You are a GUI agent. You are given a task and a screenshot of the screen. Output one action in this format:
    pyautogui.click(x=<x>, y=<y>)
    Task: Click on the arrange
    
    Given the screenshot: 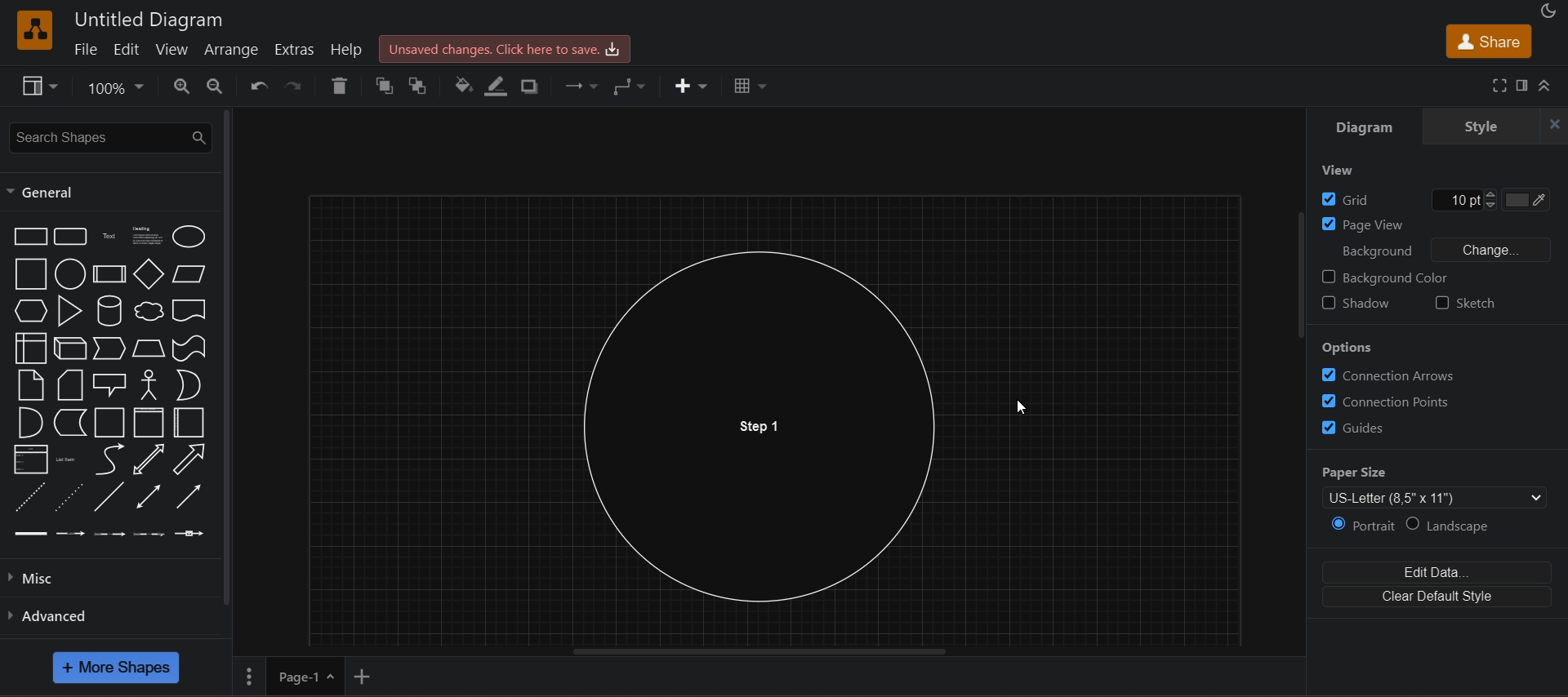 What is the action you would take?
    pyautogui.click(x=231, y=50)
    